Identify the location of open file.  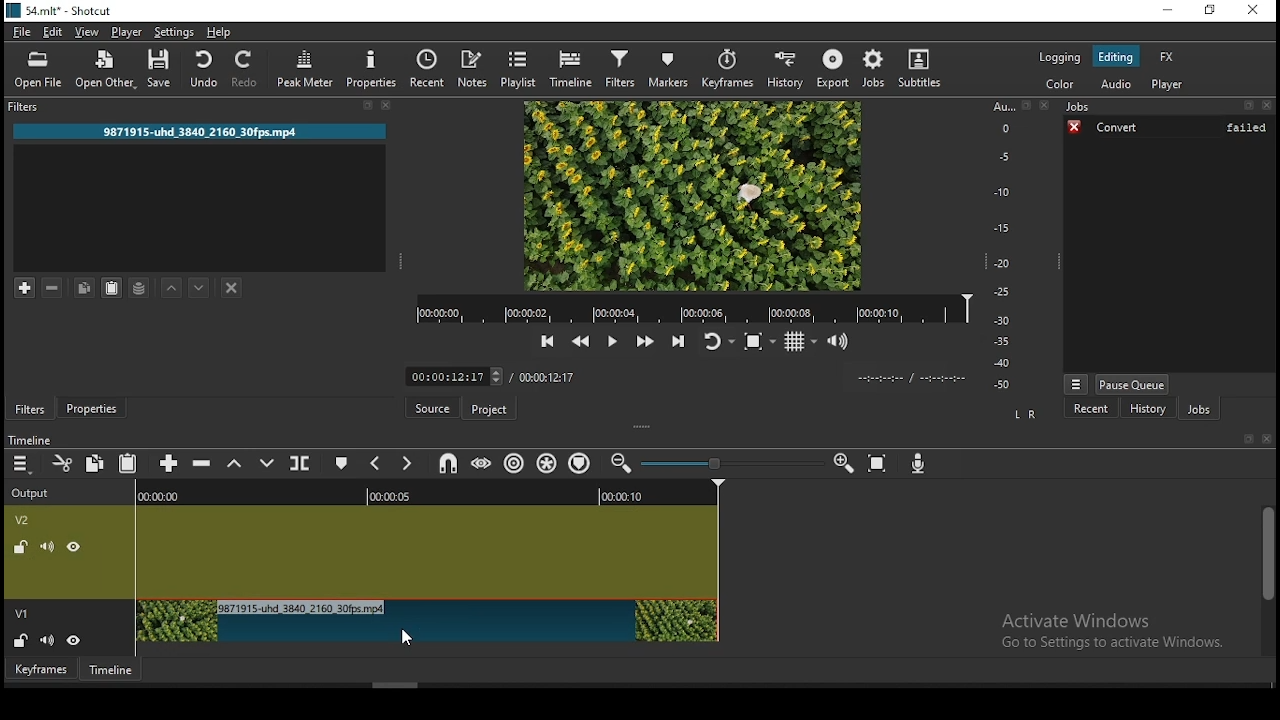
(41, 69).